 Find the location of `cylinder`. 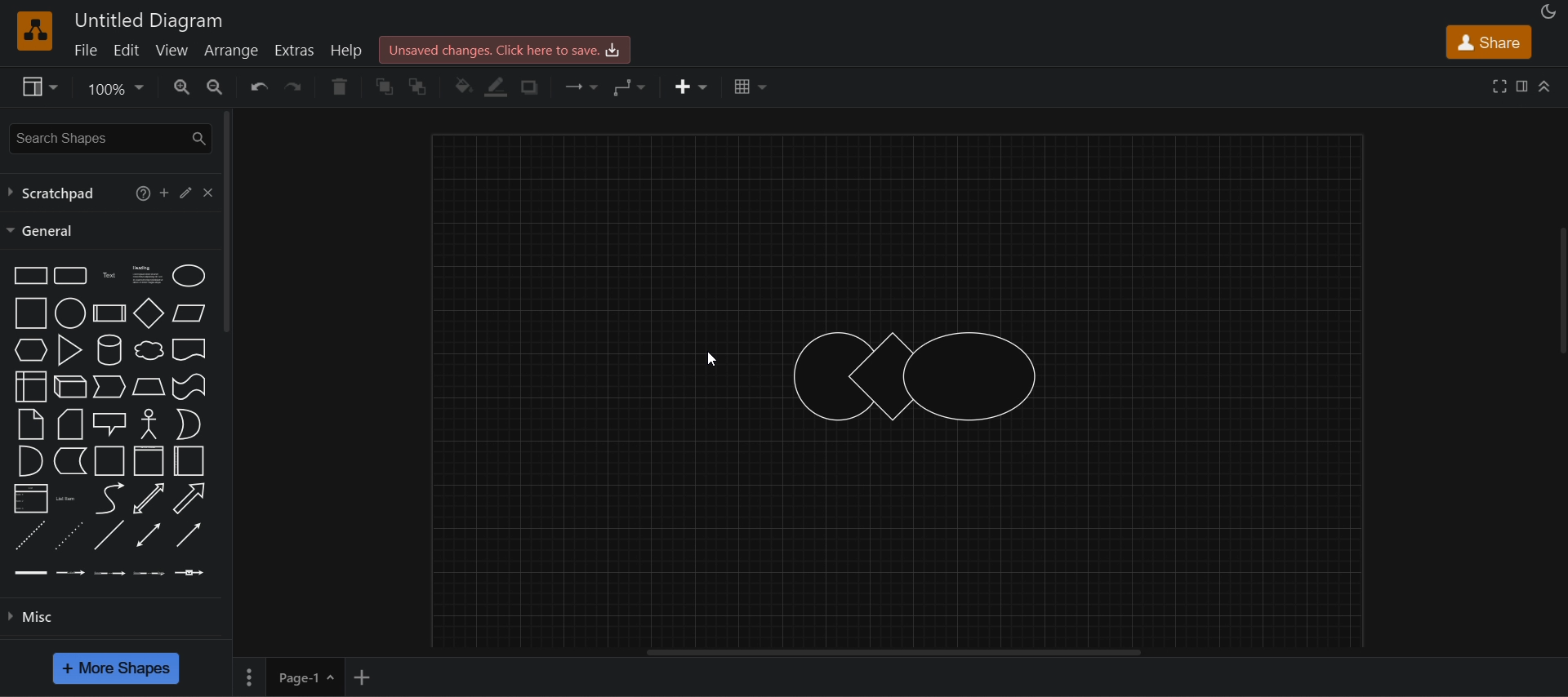

cylinder is located at coordinates (108, 349).